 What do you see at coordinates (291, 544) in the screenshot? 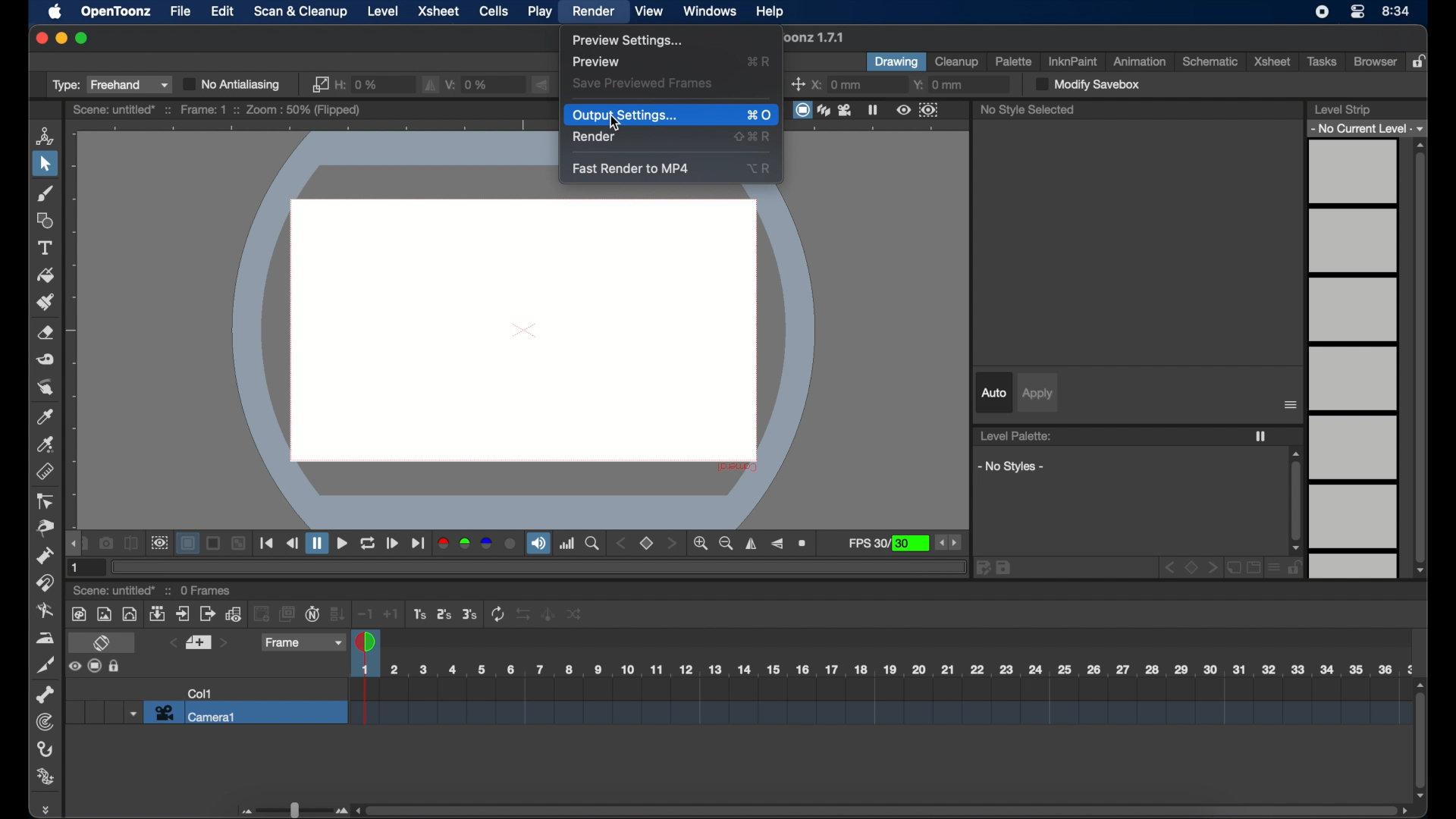
I see `` at bounding box center [291, 544].